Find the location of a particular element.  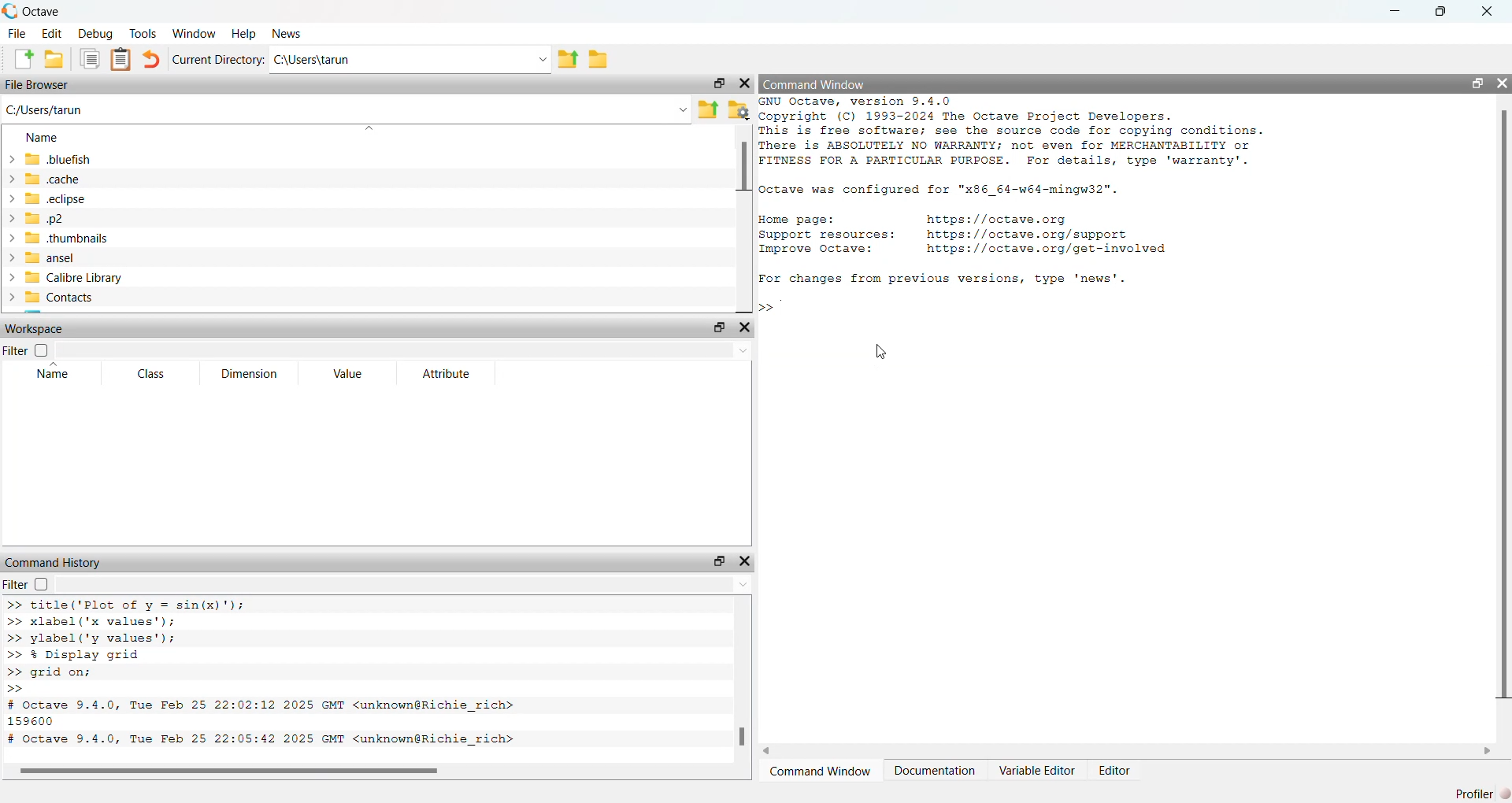

Workspace is located at coordinates (41, 328).